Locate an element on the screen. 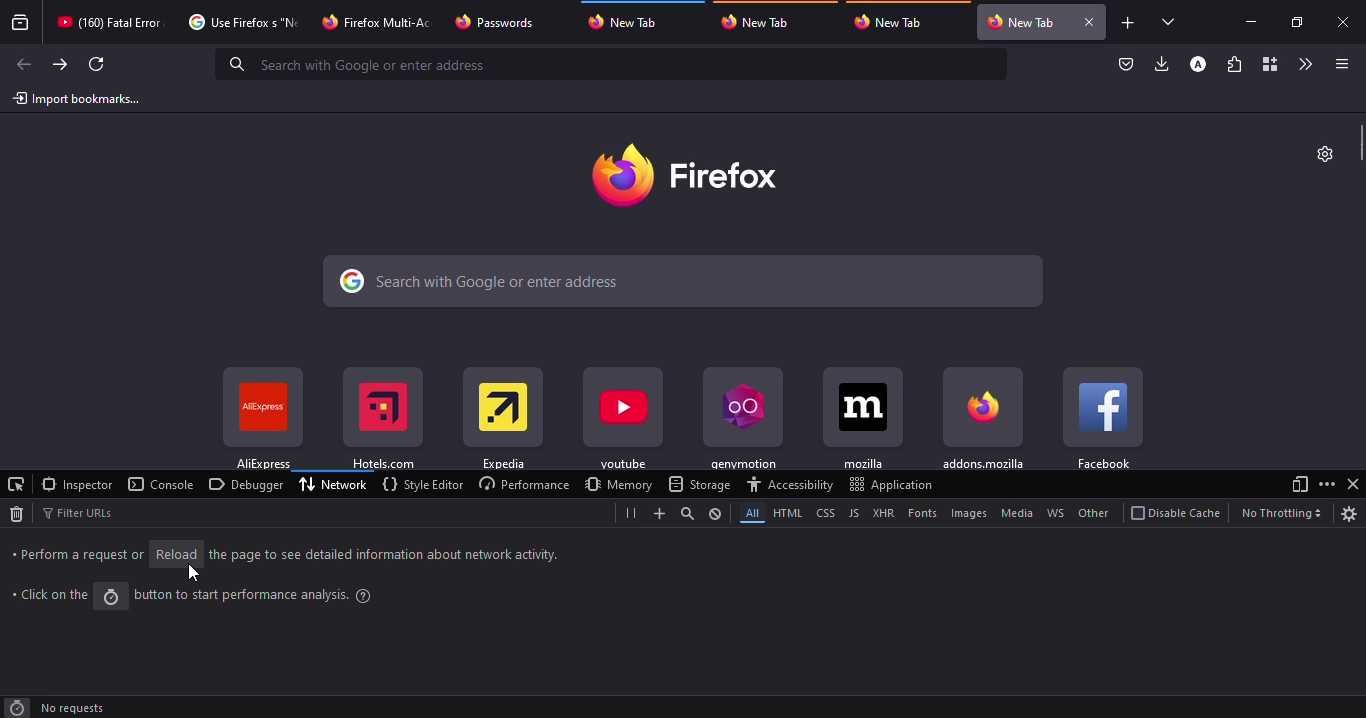 The image size is (1366, 718). search is located at coordinates (684, 280).